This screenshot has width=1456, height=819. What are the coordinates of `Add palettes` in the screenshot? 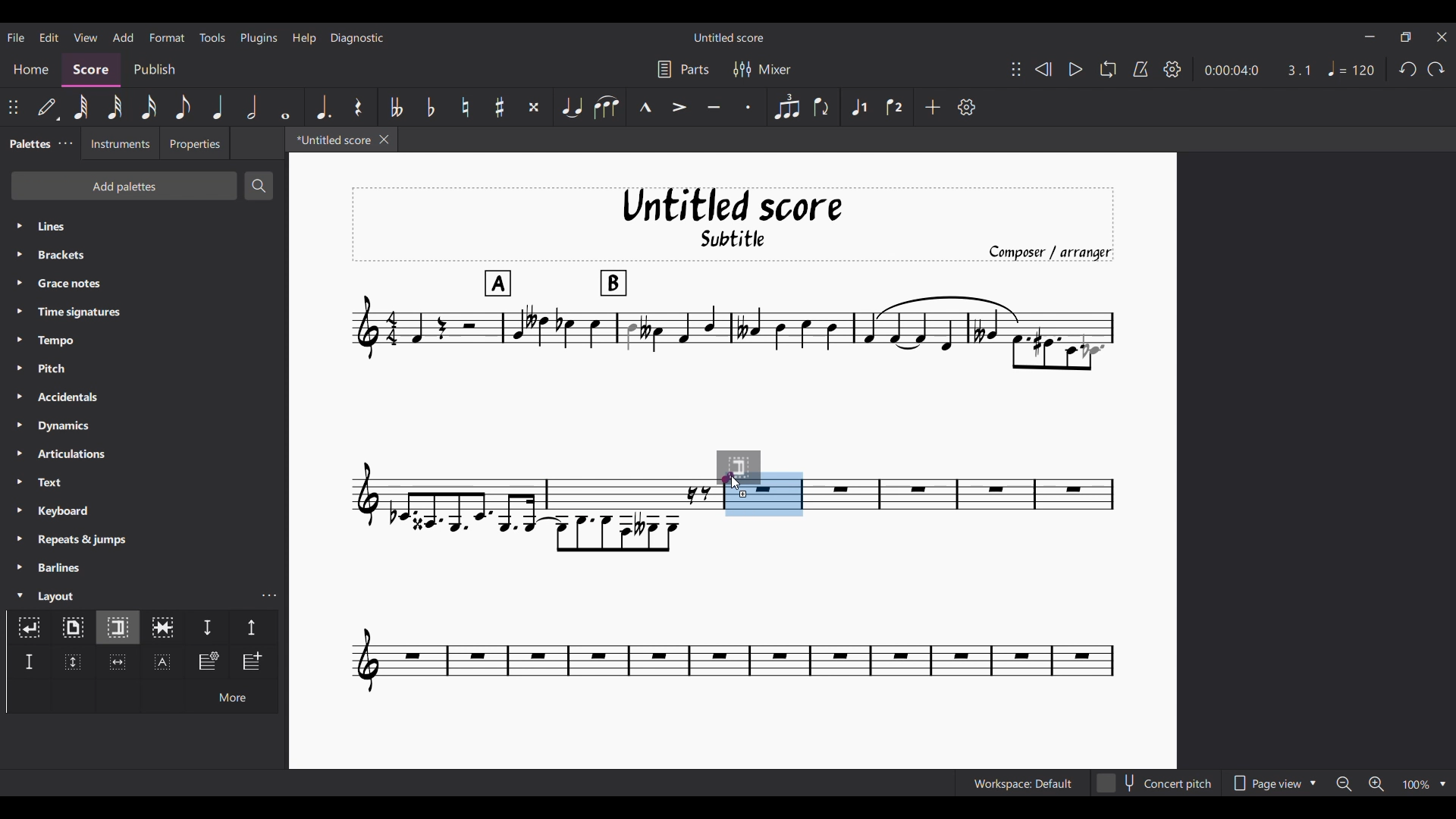 It's located at (124, 186).